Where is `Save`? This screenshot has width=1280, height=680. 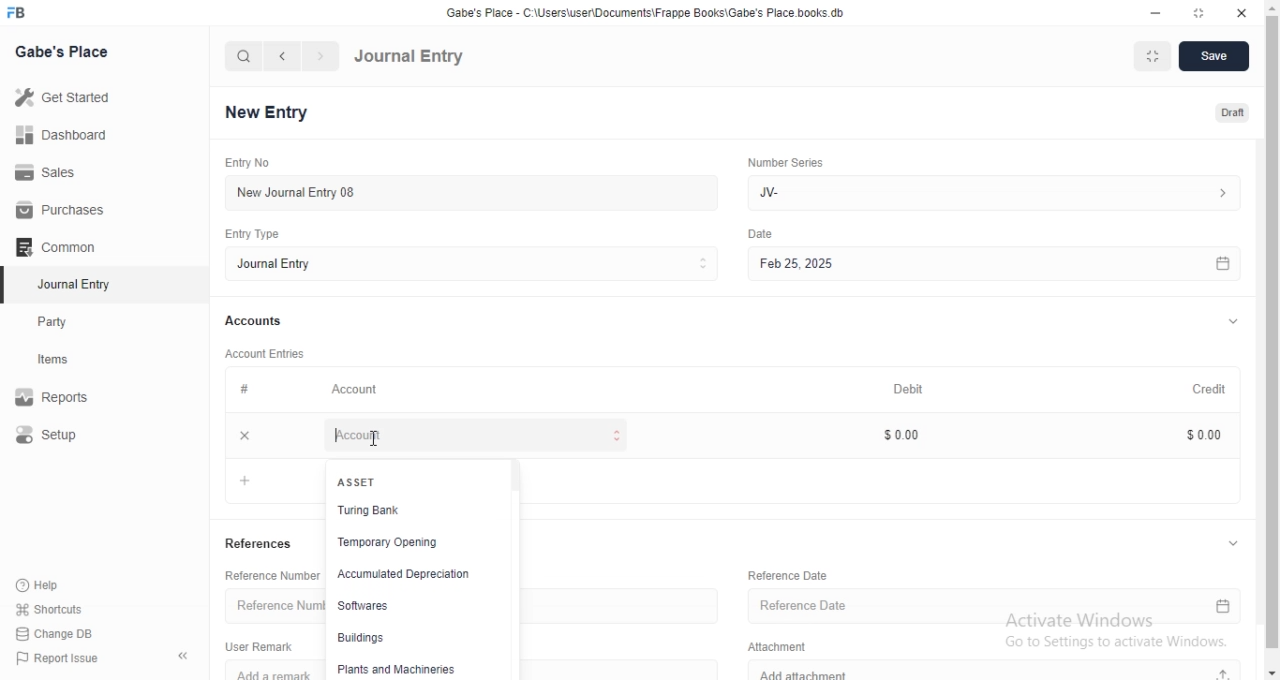 Save is located at coordinates (1215, 57).